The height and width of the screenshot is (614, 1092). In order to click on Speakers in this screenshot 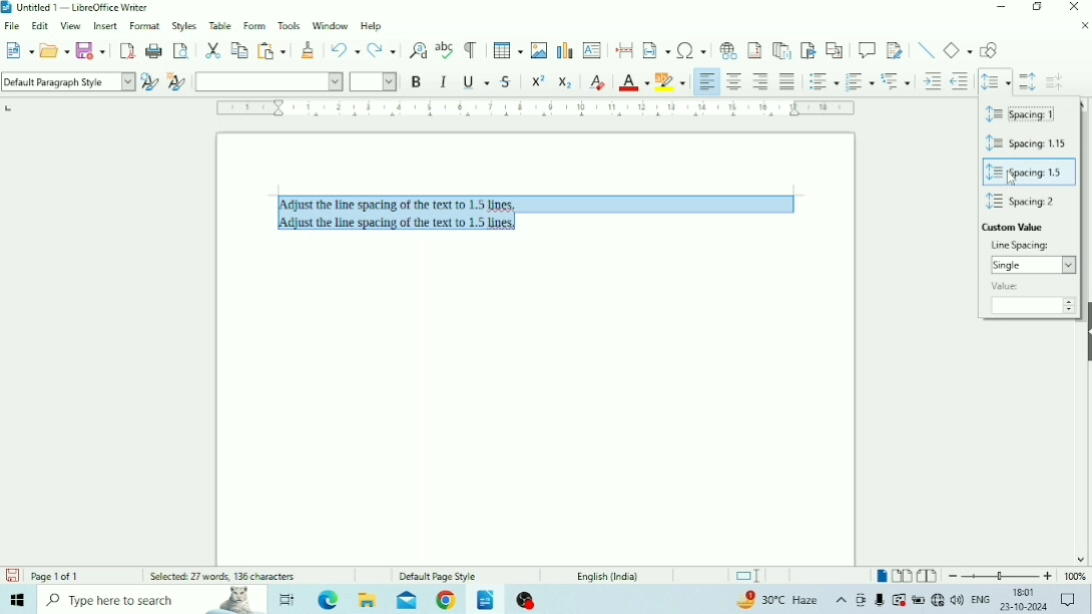, I will do `click(957, 600)`.